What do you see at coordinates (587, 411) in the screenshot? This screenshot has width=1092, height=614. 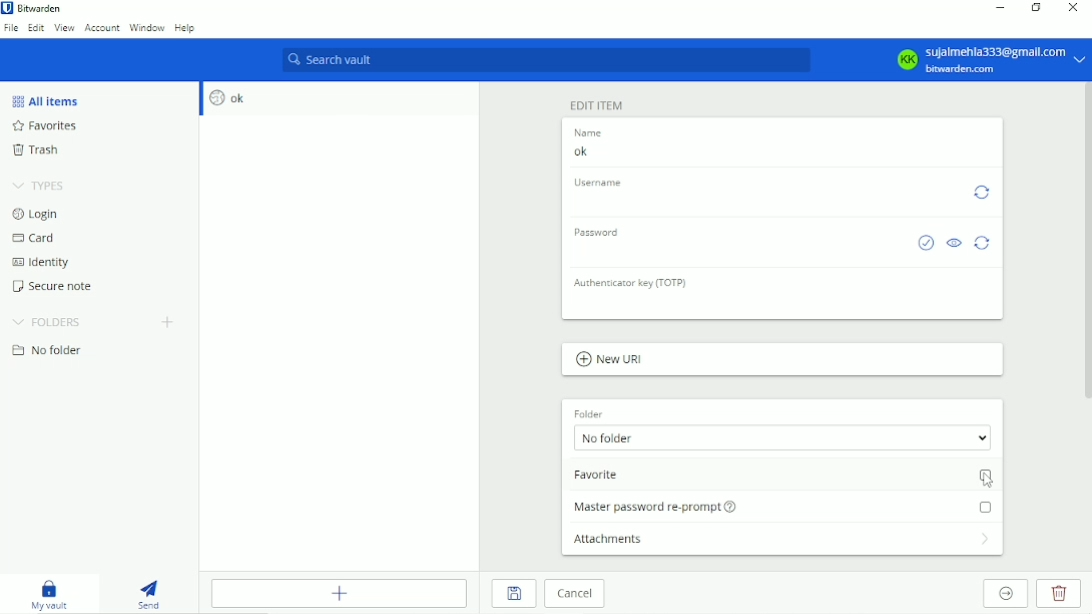 I see `Folder` at bounding box center [587, 411].